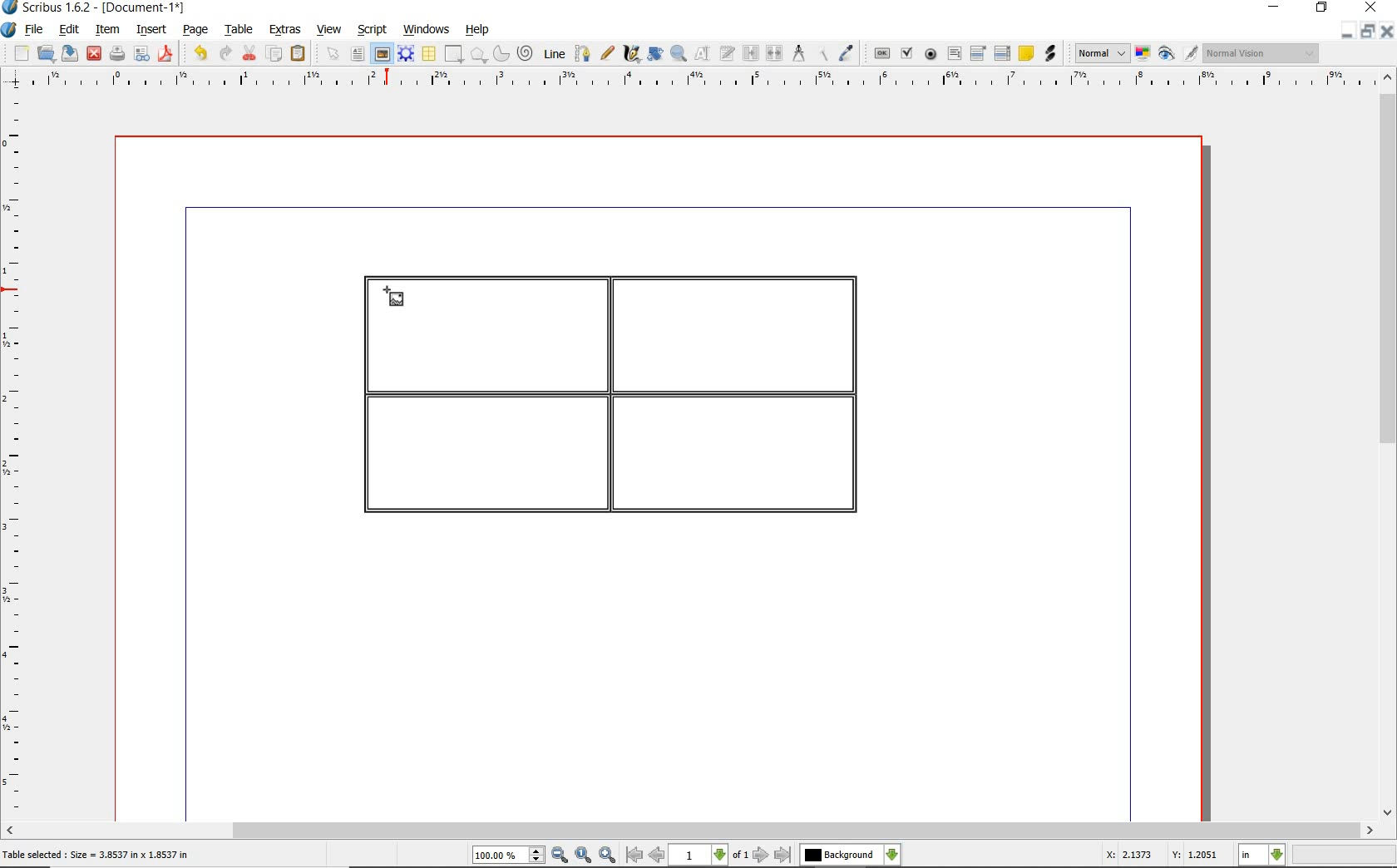 This screenshot has width=1397, height=868. What do you see at coordinates (200, 53) in the screenshot?
I see `undo` at bounding box center [200, 53].